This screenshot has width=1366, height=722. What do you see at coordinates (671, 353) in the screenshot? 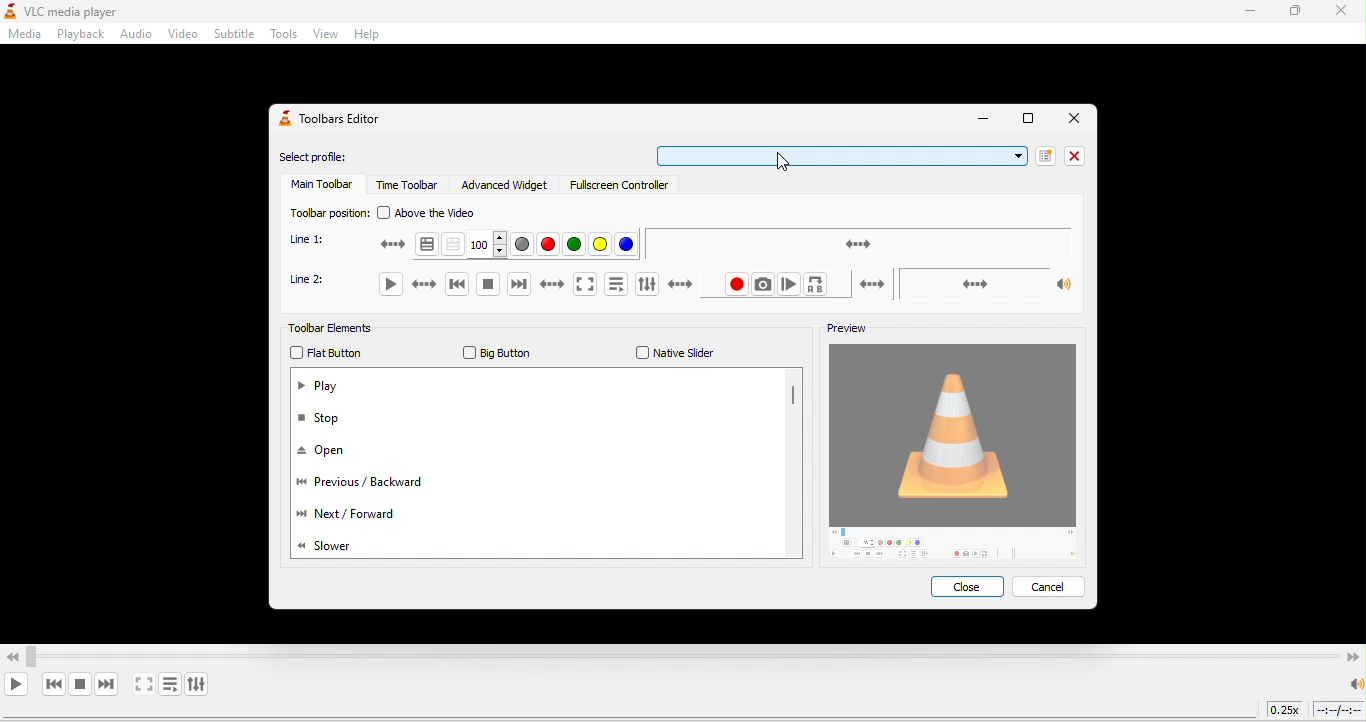
I see `native slider` at bounding box center [671, 353].